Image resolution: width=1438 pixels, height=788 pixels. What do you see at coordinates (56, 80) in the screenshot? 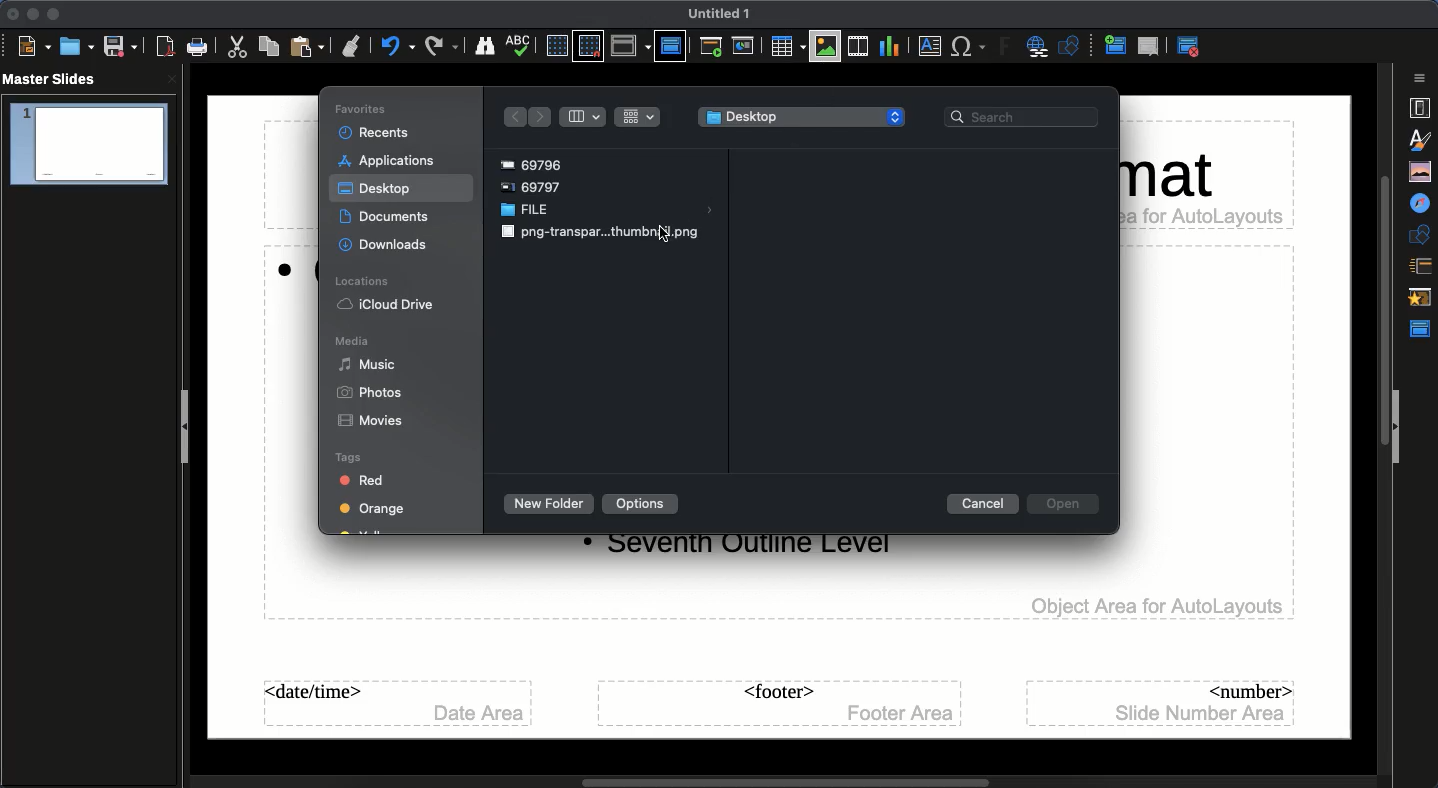
I see `Master slides` at bounding box center [56, 80].